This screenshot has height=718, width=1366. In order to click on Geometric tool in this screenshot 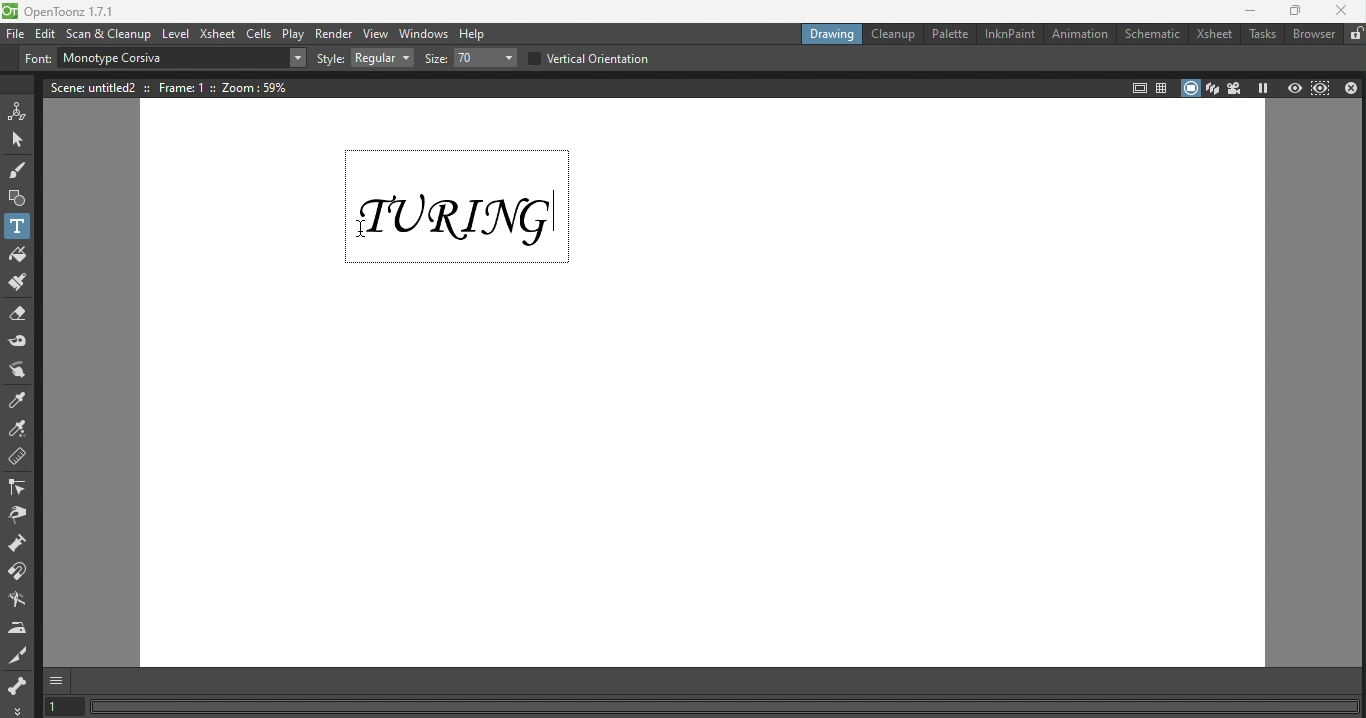, I will do `click(17, 198)`.